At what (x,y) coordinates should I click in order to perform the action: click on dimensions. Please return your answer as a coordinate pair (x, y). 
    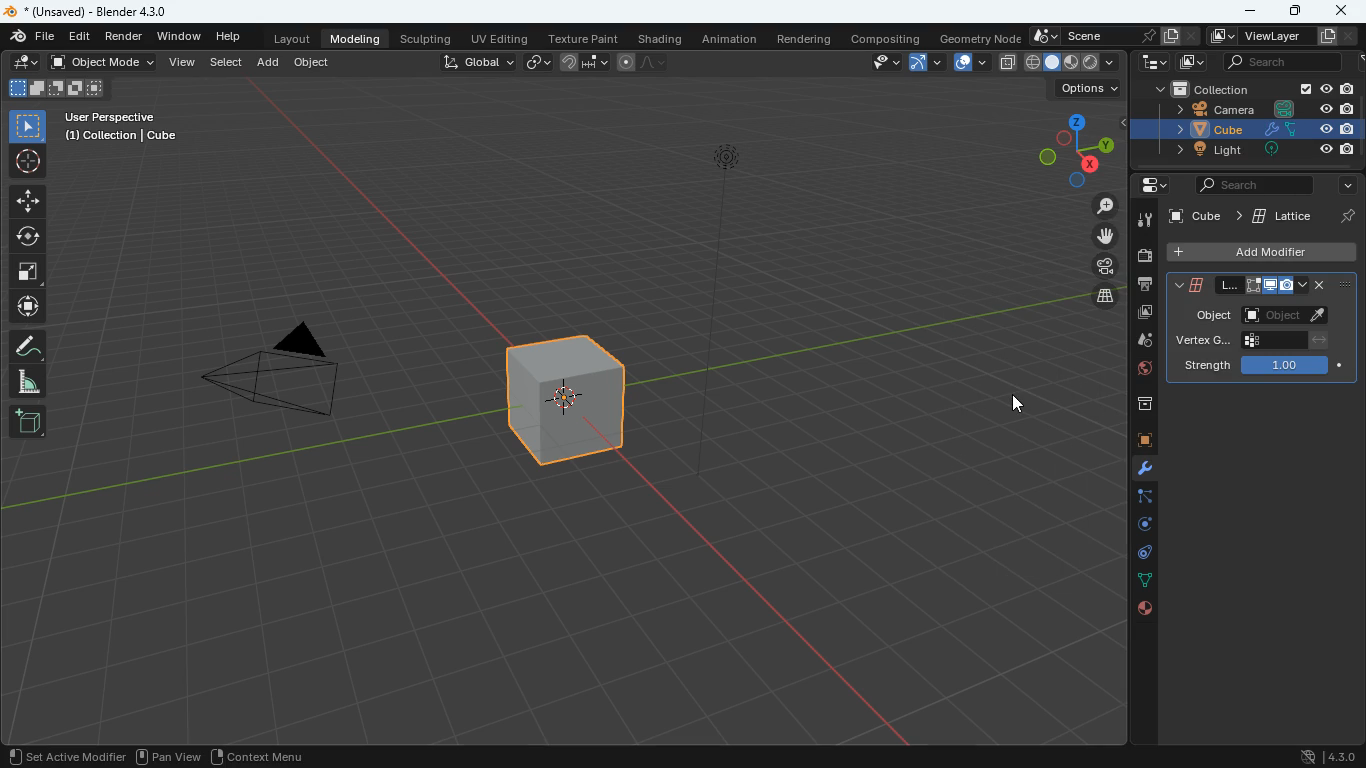
    Looking at the image, I should click on (1077, 149).